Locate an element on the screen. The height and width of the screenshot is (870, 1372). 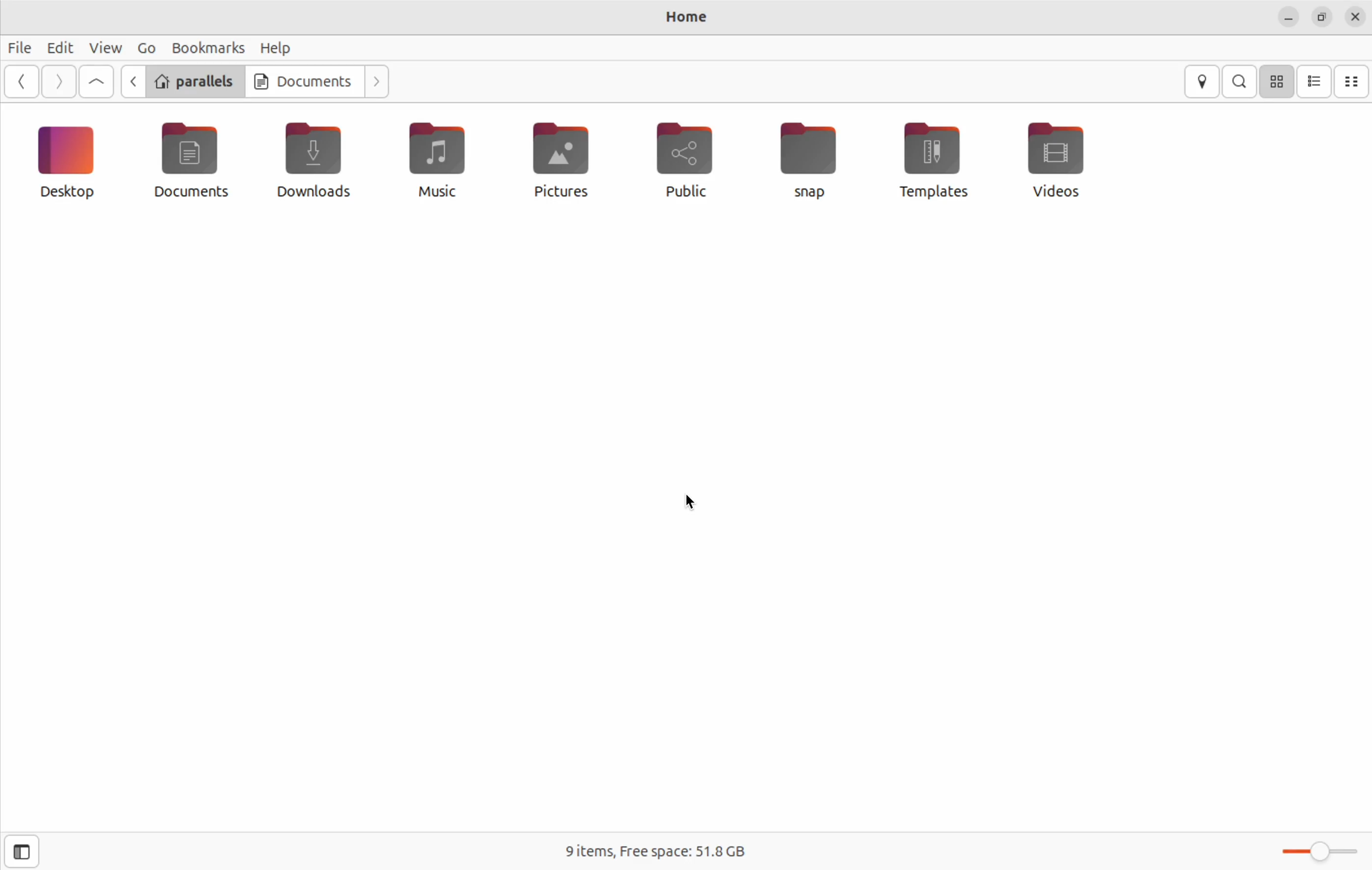
location is located at coordinates (1204, 82).